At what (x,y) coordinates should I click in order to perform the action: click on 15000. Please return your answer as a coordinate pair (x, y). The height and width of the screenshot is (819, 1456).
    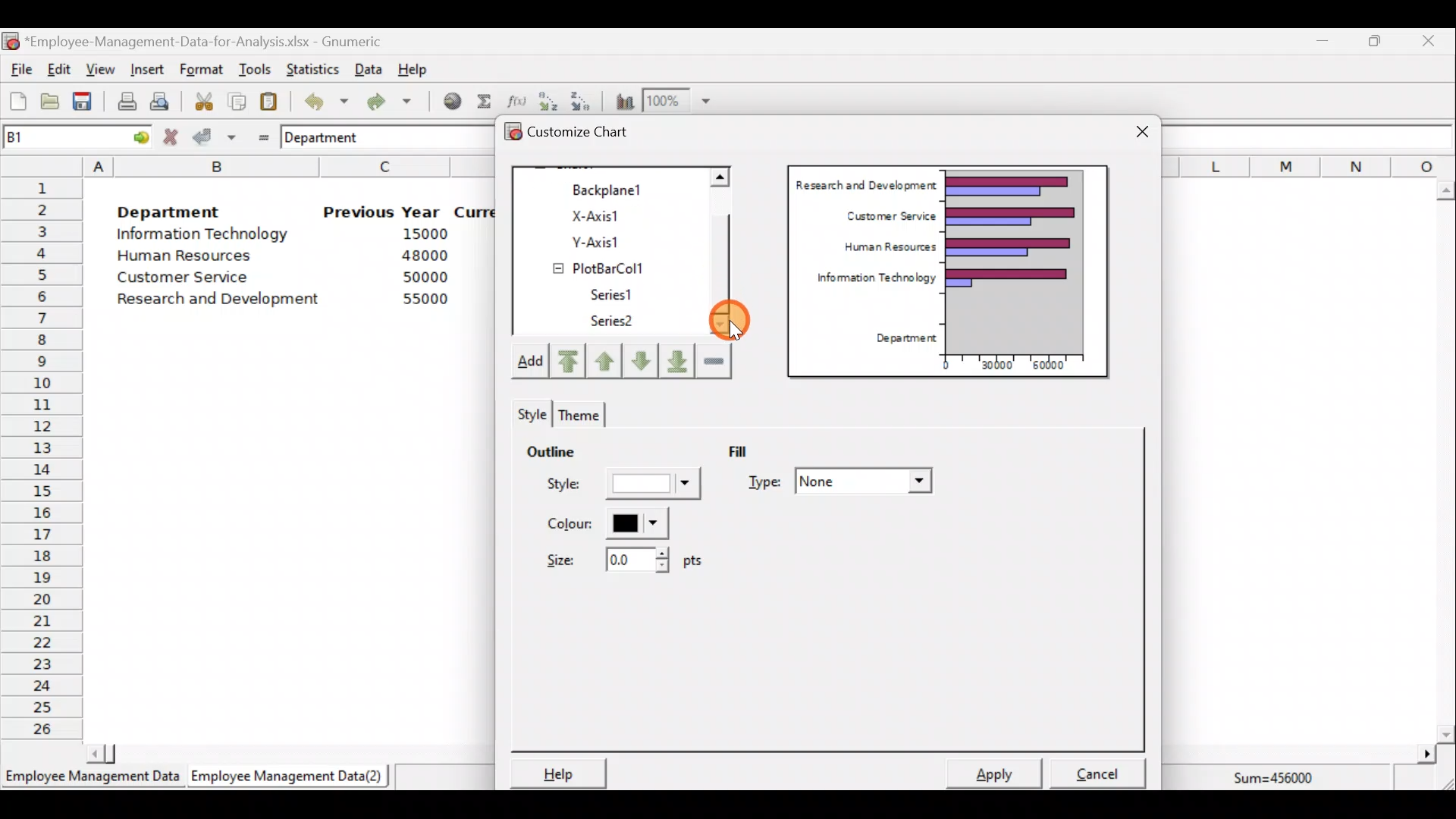
    Looking at the image, I should click on (419, 233).